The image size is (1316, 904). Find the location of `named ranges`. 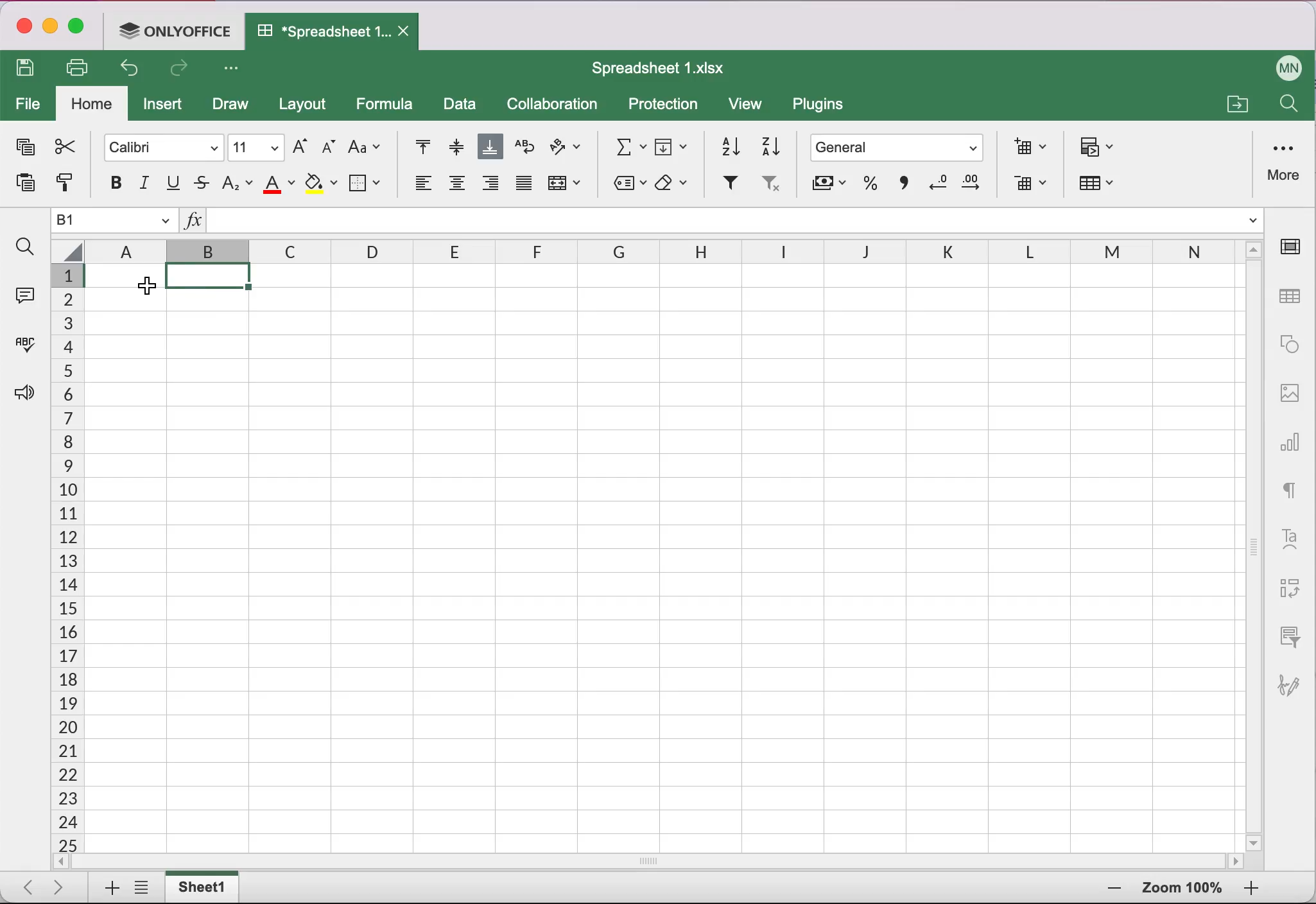

named ranges is located at coordinates (627, 185).